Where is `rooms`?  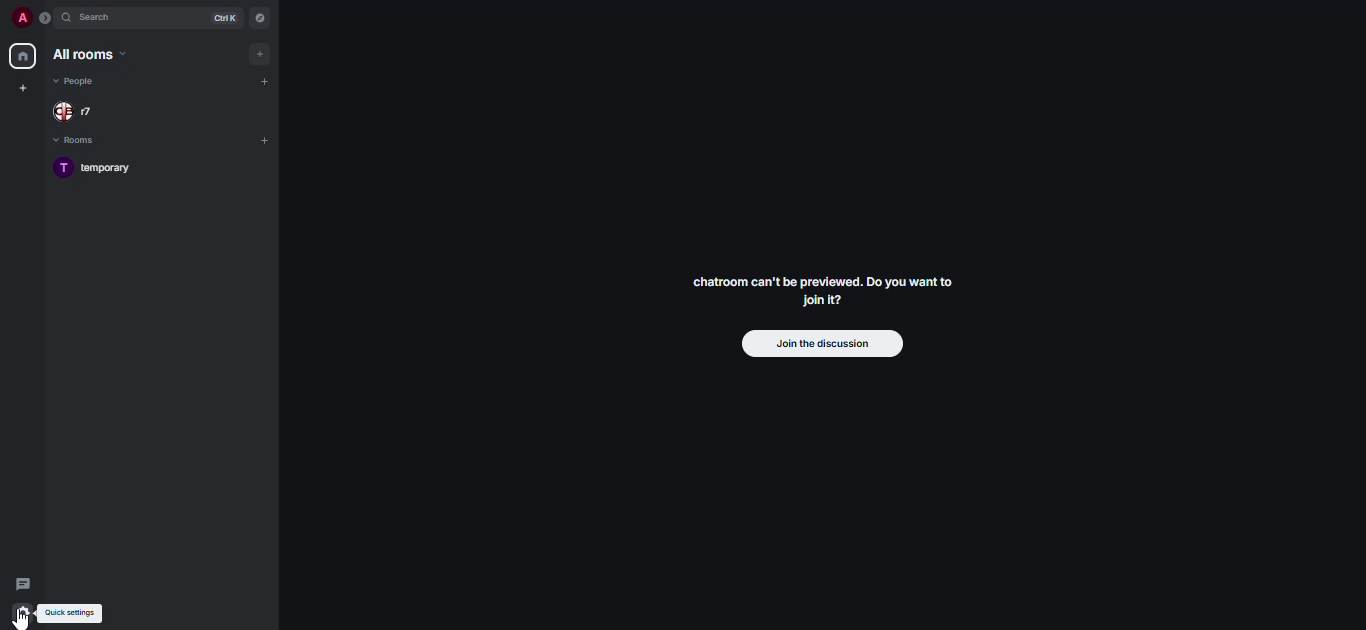
rooms is located at coordinates (73, 141).